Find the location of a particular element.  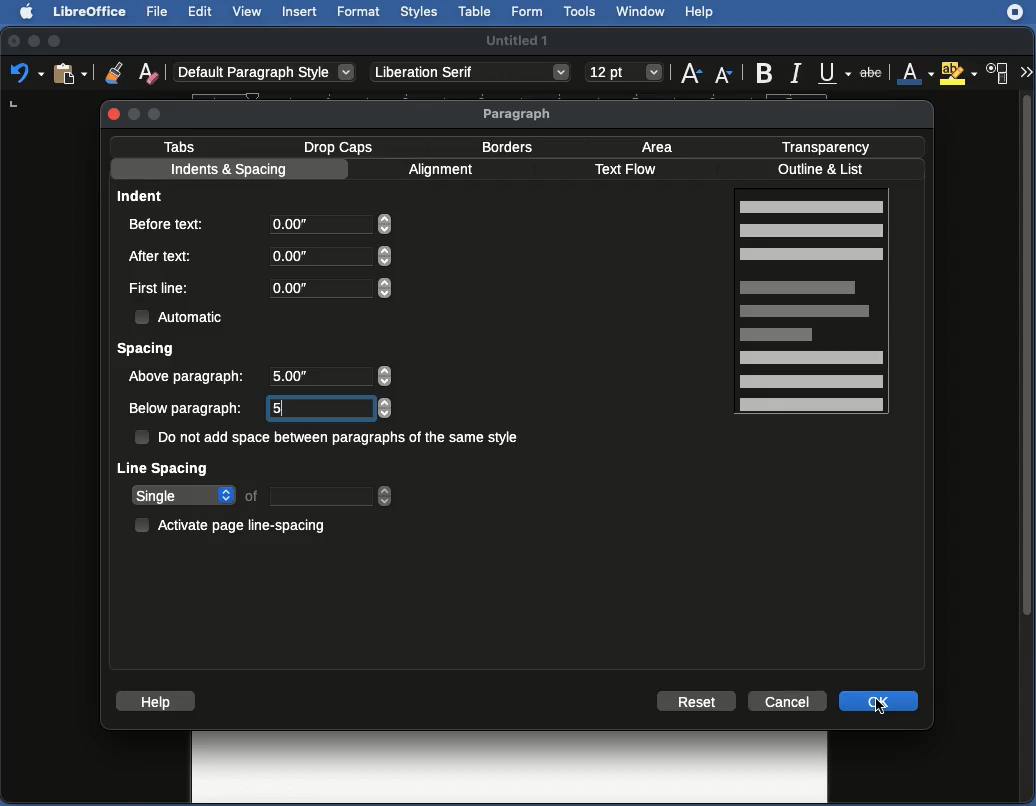

font size is located at coordinates (621, 72).